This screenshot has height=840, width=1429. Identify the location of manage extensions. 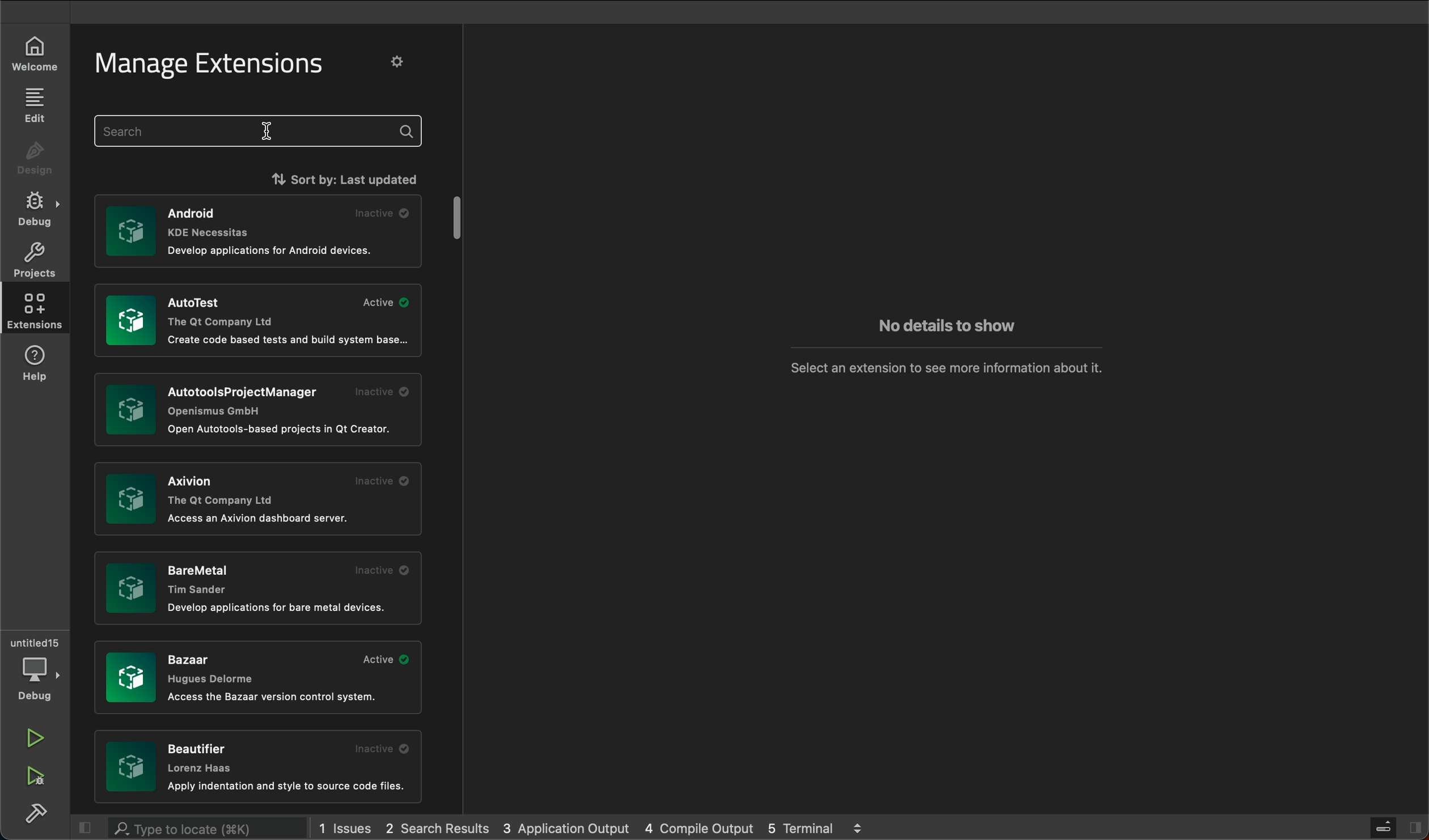
(222, 64).